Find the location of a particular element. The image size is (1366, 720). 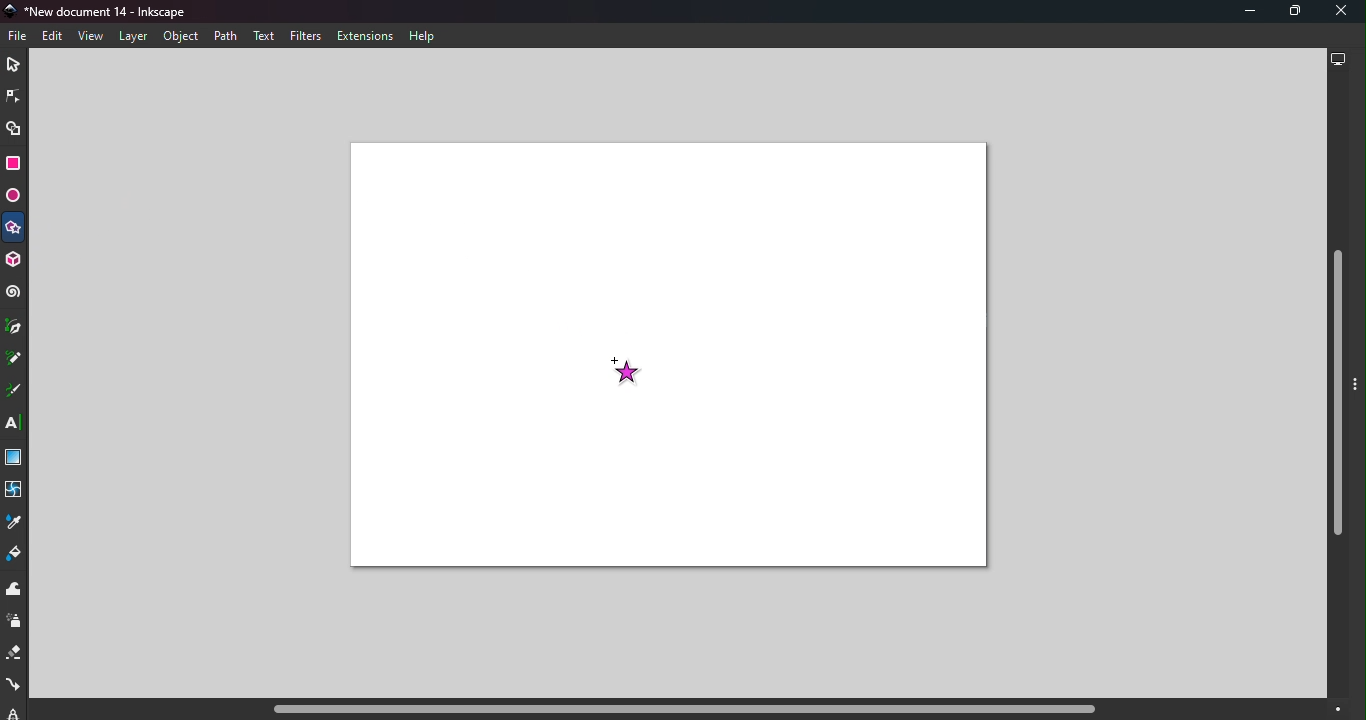

Vertical scroll bar is located at coordinates (1338, 388).